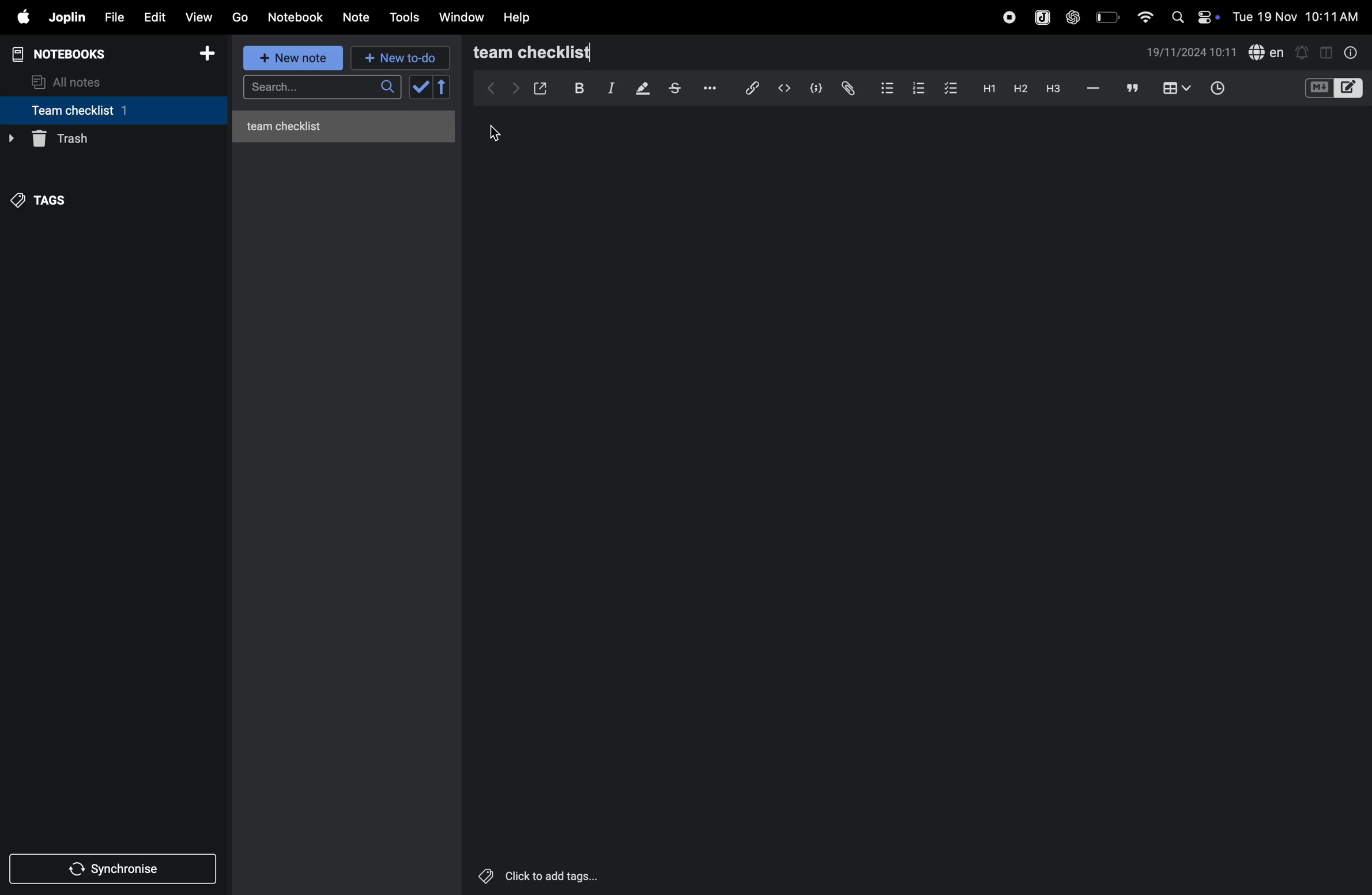  What do you see at coordinates (431, 88) in the screenshot?
I see `check` at bounding box center [431, 88].